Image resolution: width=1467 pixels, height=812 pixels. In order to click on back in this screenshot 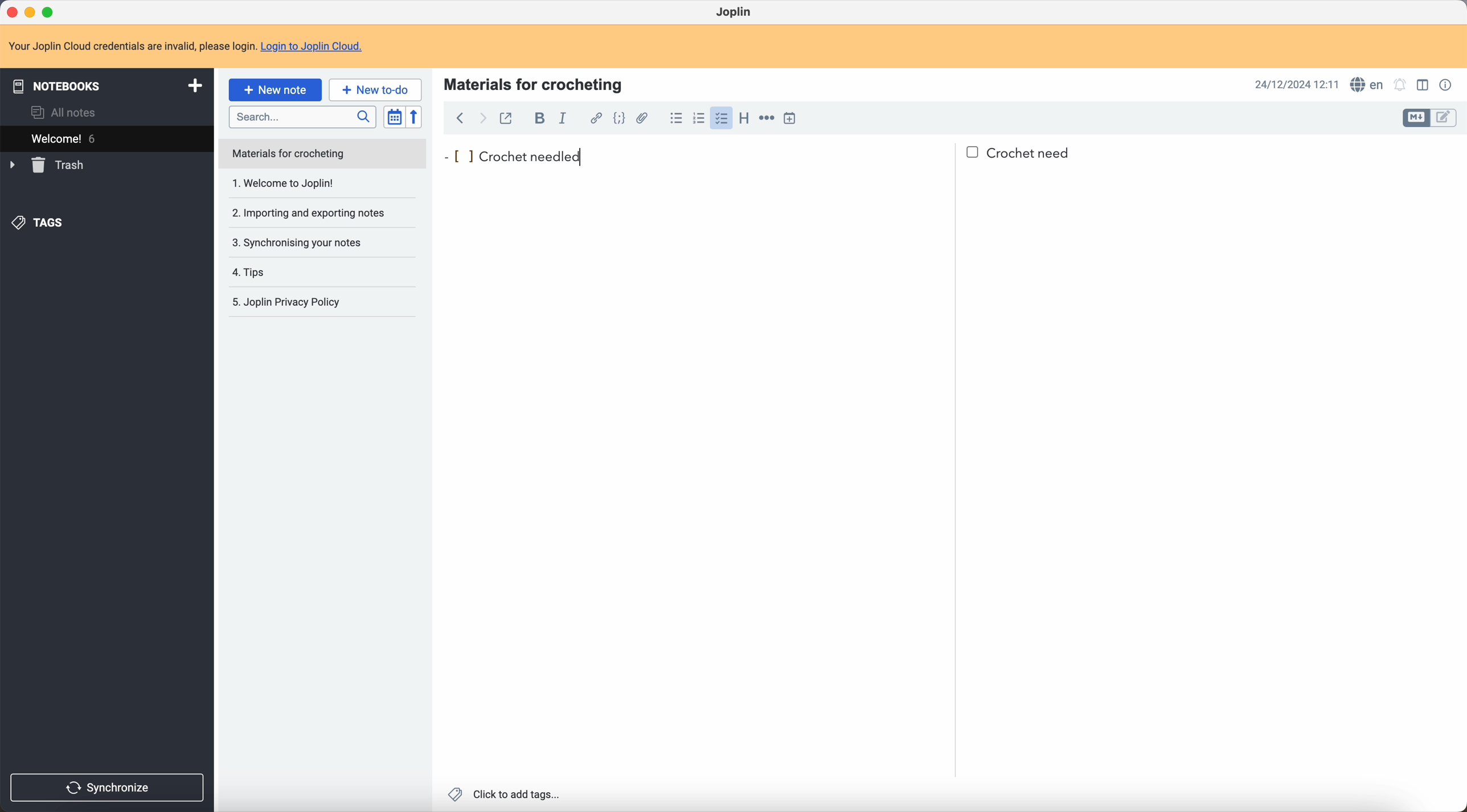, I will do `click(460, 120)`.